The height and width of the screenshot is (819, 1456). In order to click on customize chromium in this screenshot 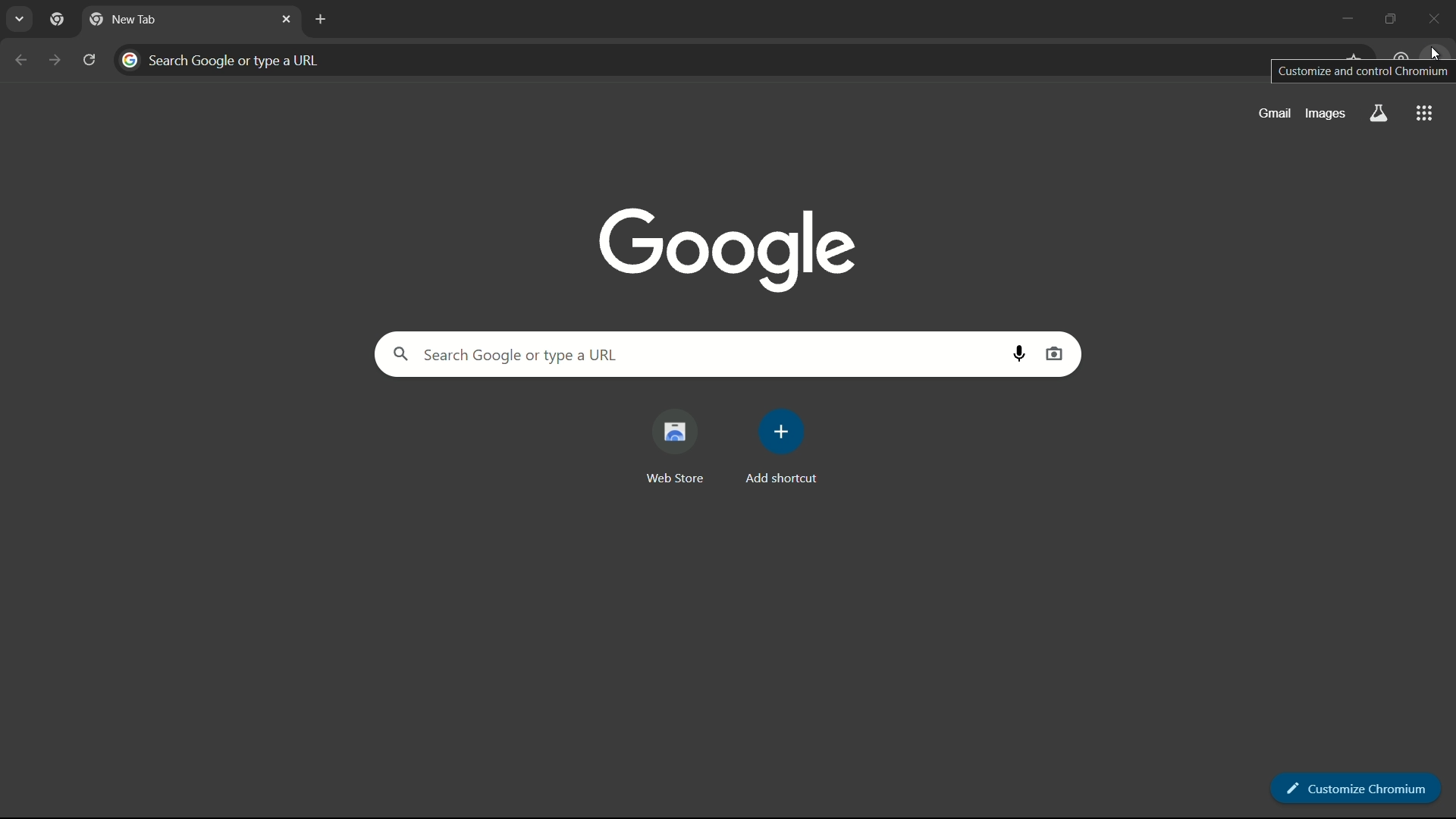, I will do `click(1352, 783)`.